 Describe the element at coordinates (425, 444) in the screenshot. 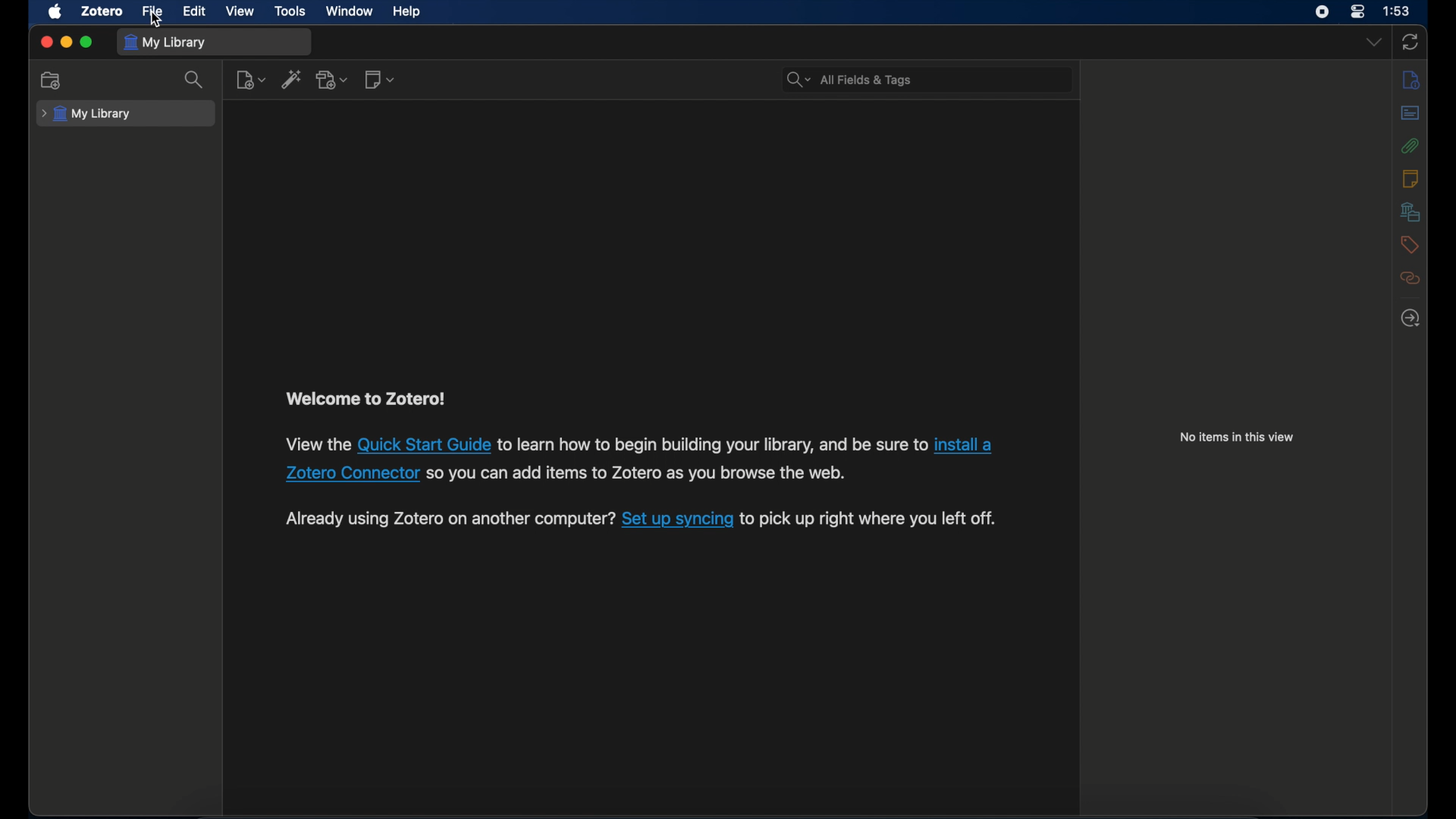

I see `Quick Start Guide` at that location.